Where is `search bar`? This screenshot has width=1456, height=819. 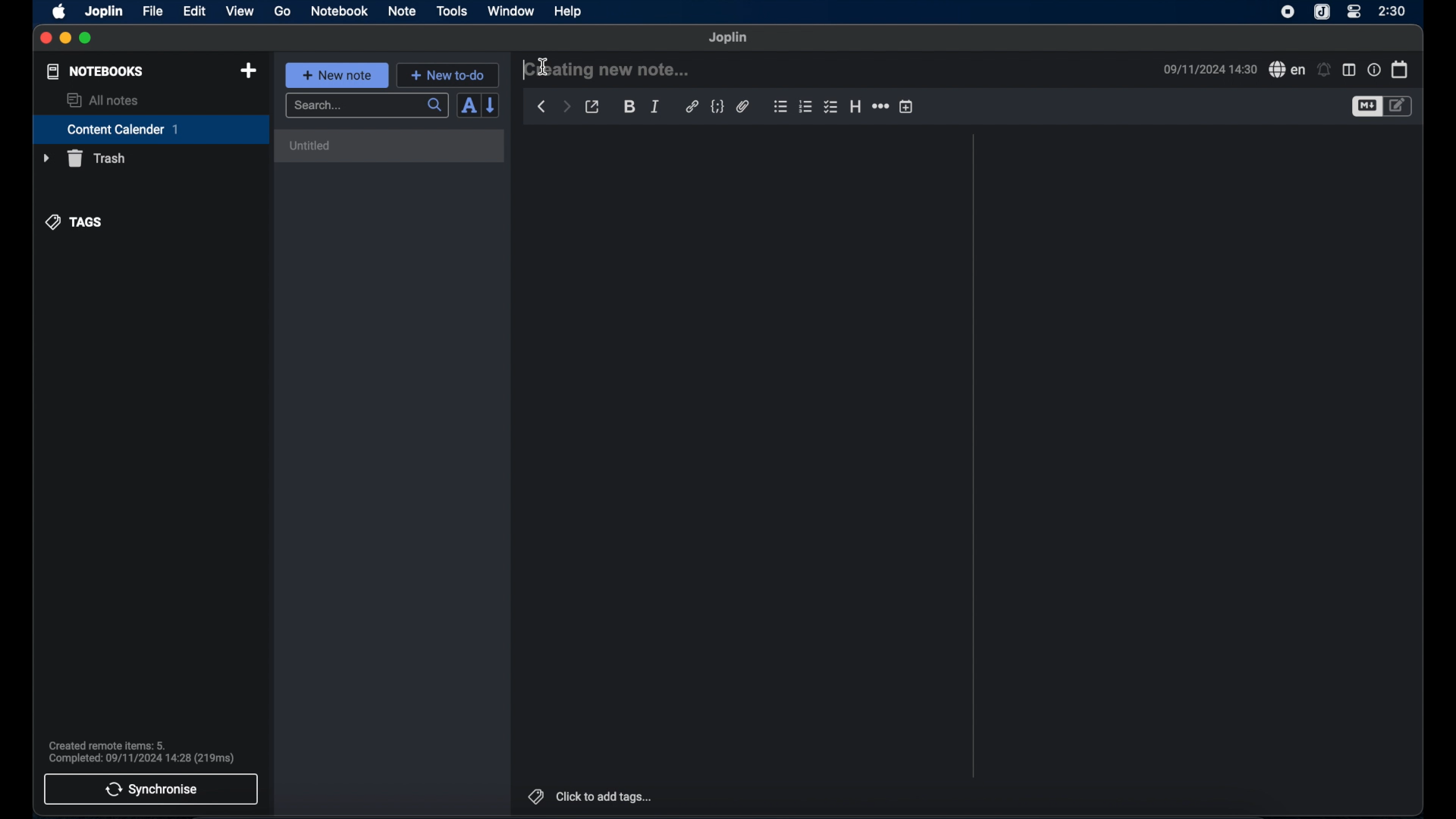 search bar is located at coordinates (368, 106).